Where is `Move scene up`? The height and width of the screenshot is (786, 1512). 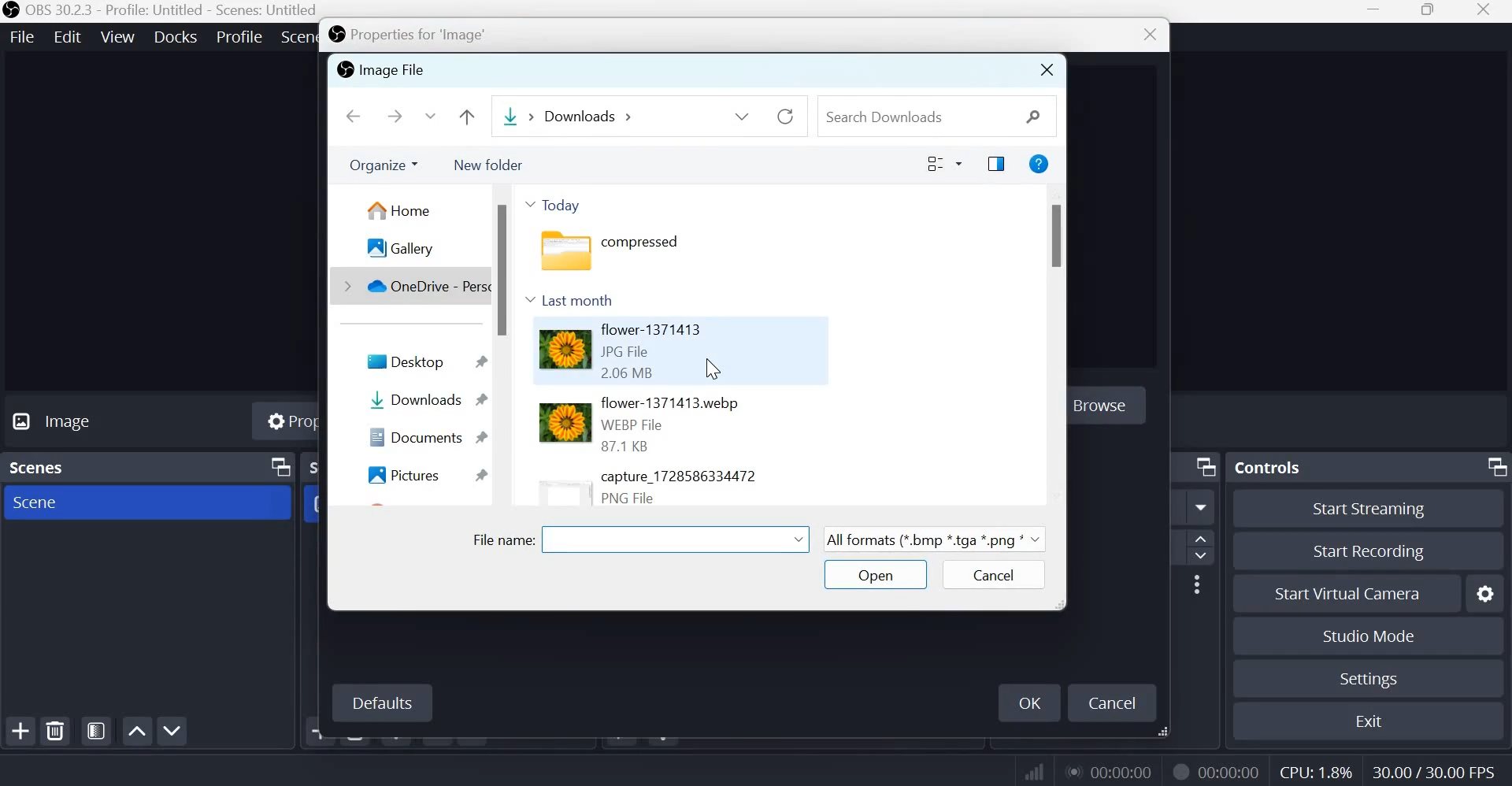
Move scene up is located at coordinates (136, 731).